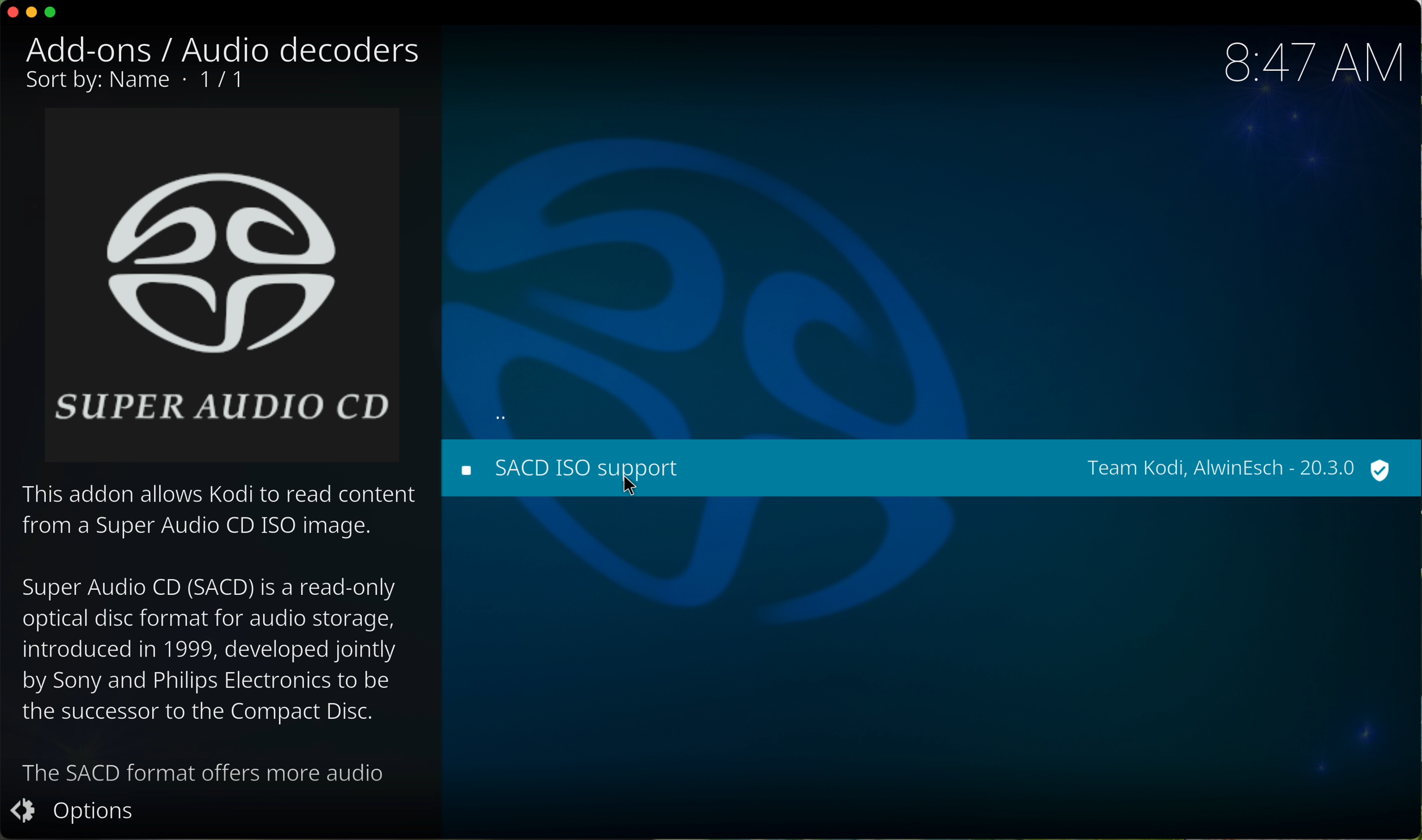  I want to click on audio decoders, so click(303, 49).